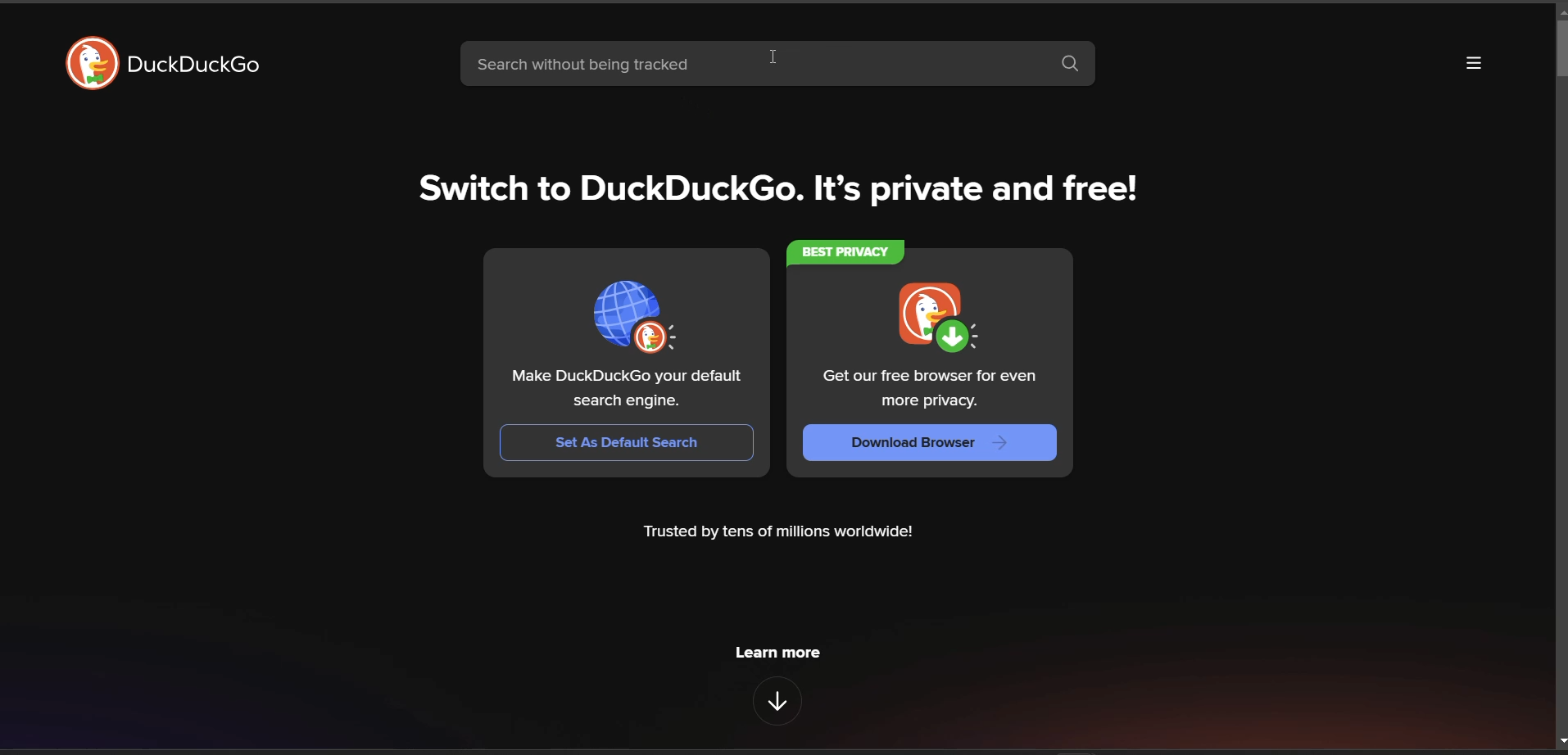 The image size is (1568, 755). Describe the element at coordinates (779, 701) in the screenshot. I see `features` at that location.